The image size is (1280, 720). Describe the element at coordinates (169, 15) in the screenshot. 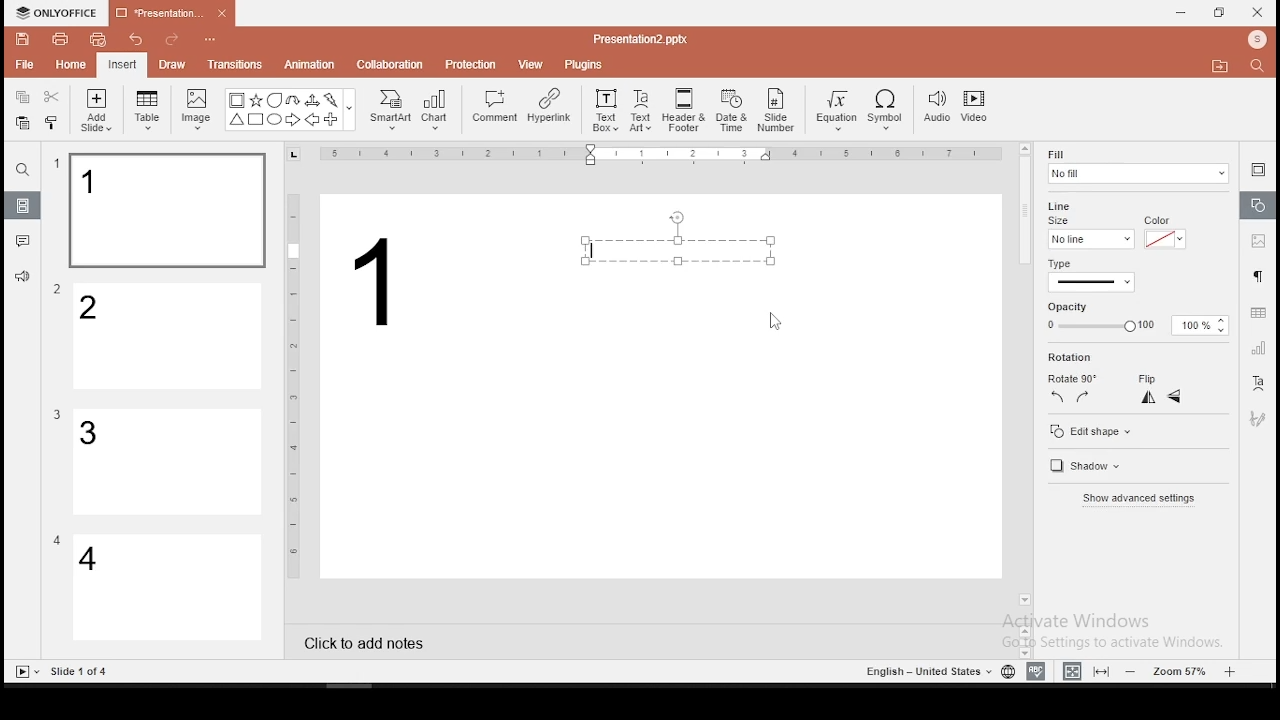

I see `presentation` at that location.